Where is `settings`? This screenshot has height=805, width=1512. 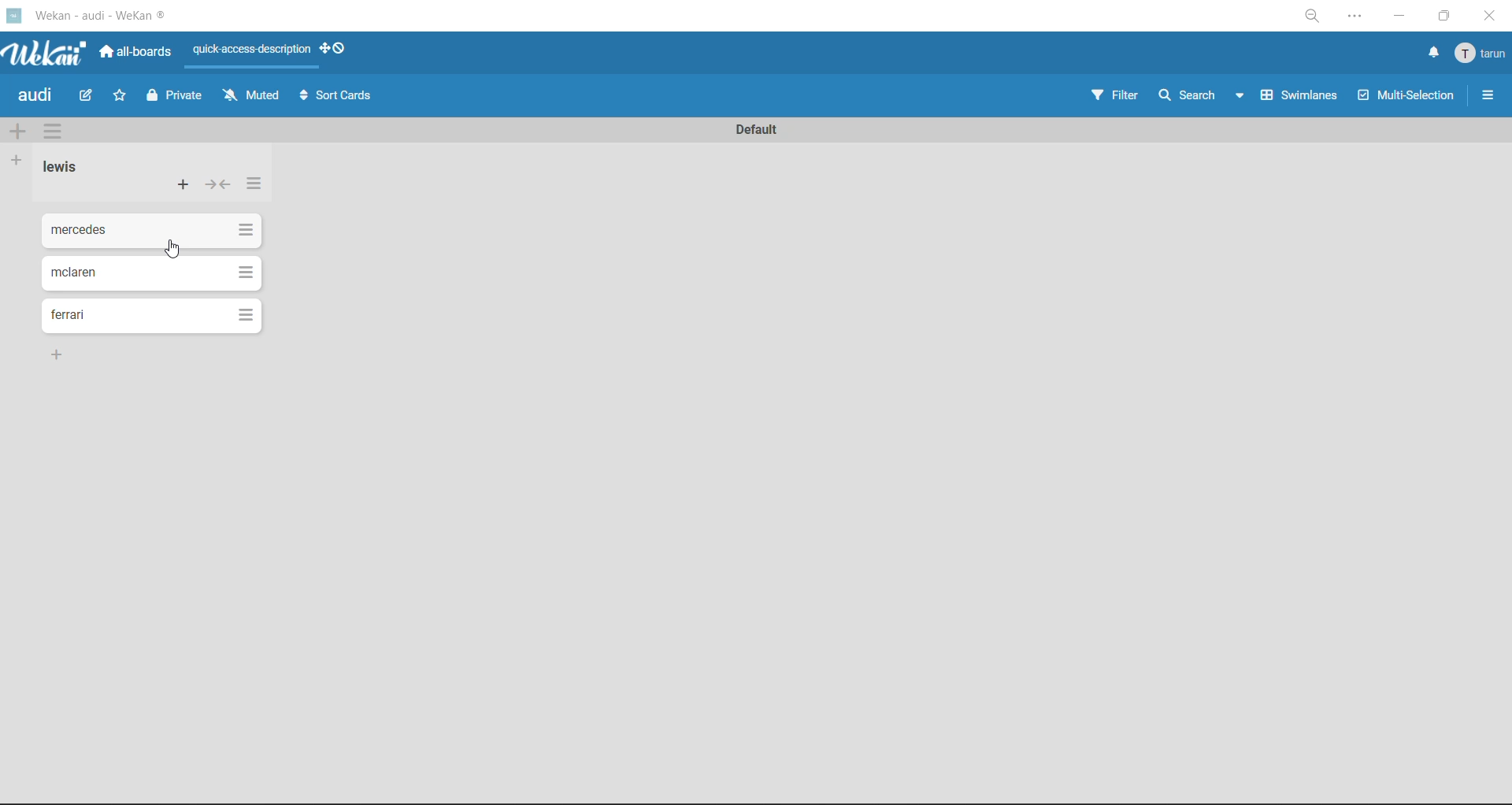
settings is located at coordinates (1358, 19).